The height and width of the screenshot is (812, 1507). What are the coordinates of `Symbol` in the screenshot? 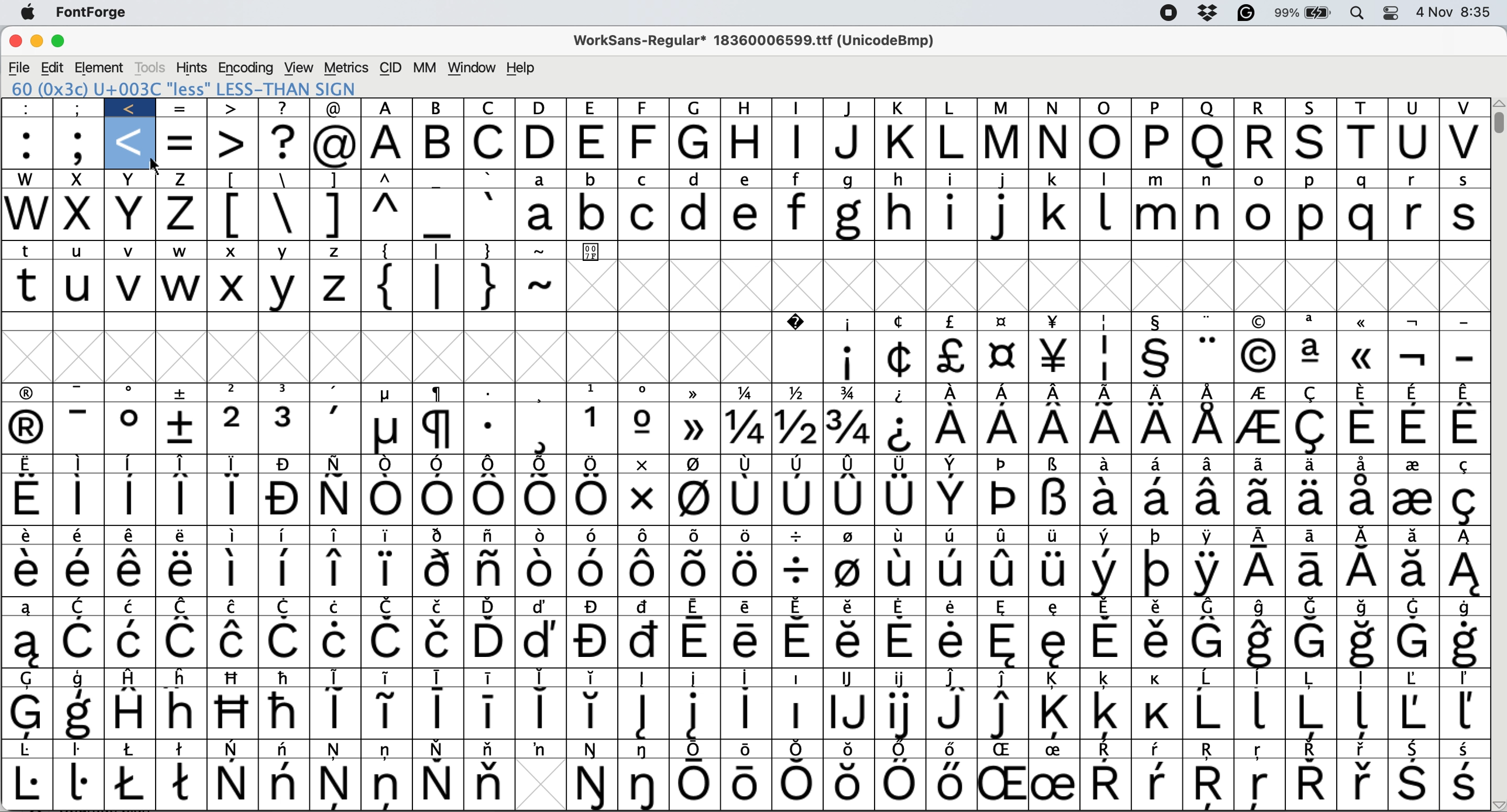 It's located at (285, 713).